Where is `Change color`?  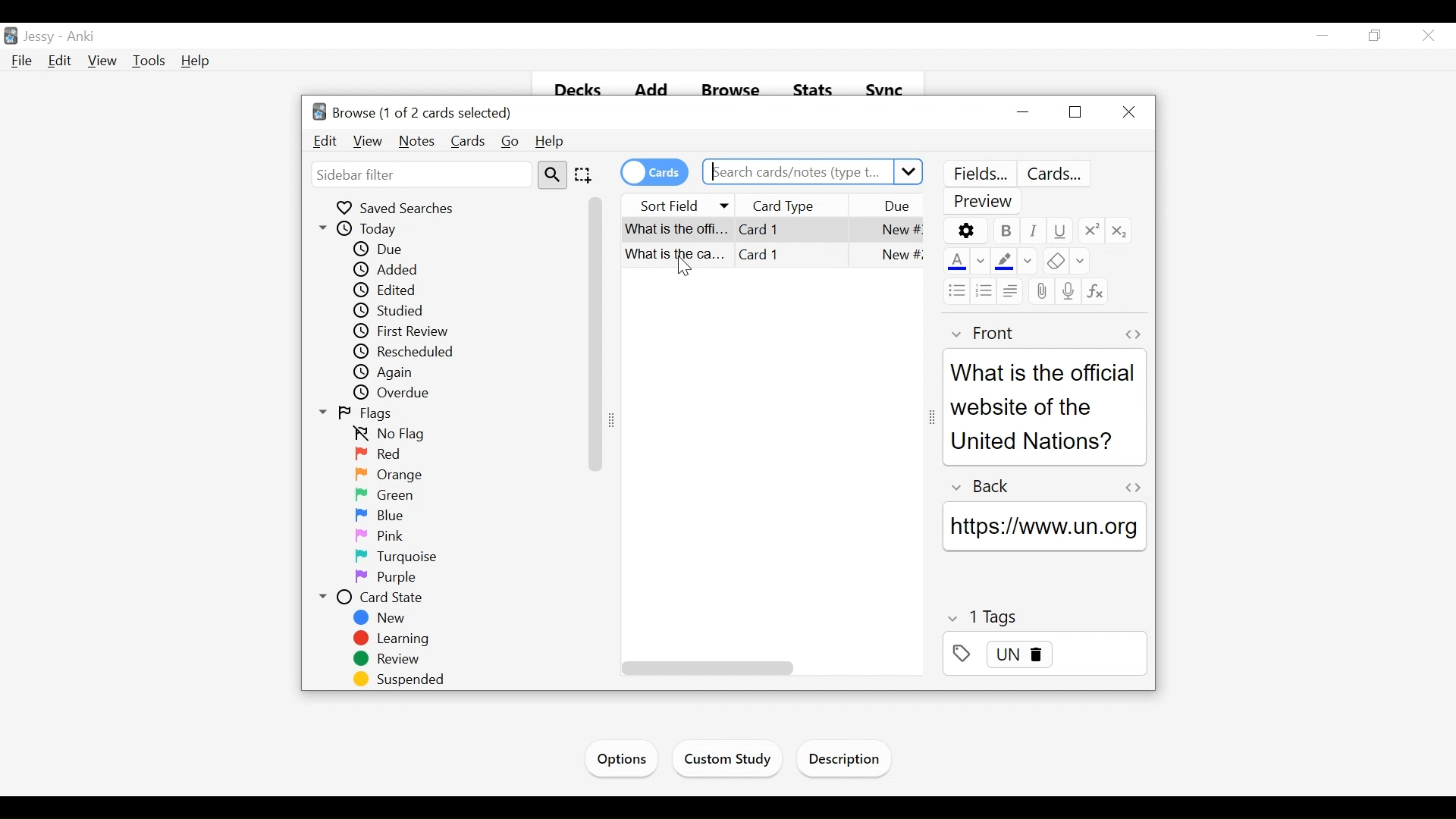
Change color is located at coordinates (981, 262).